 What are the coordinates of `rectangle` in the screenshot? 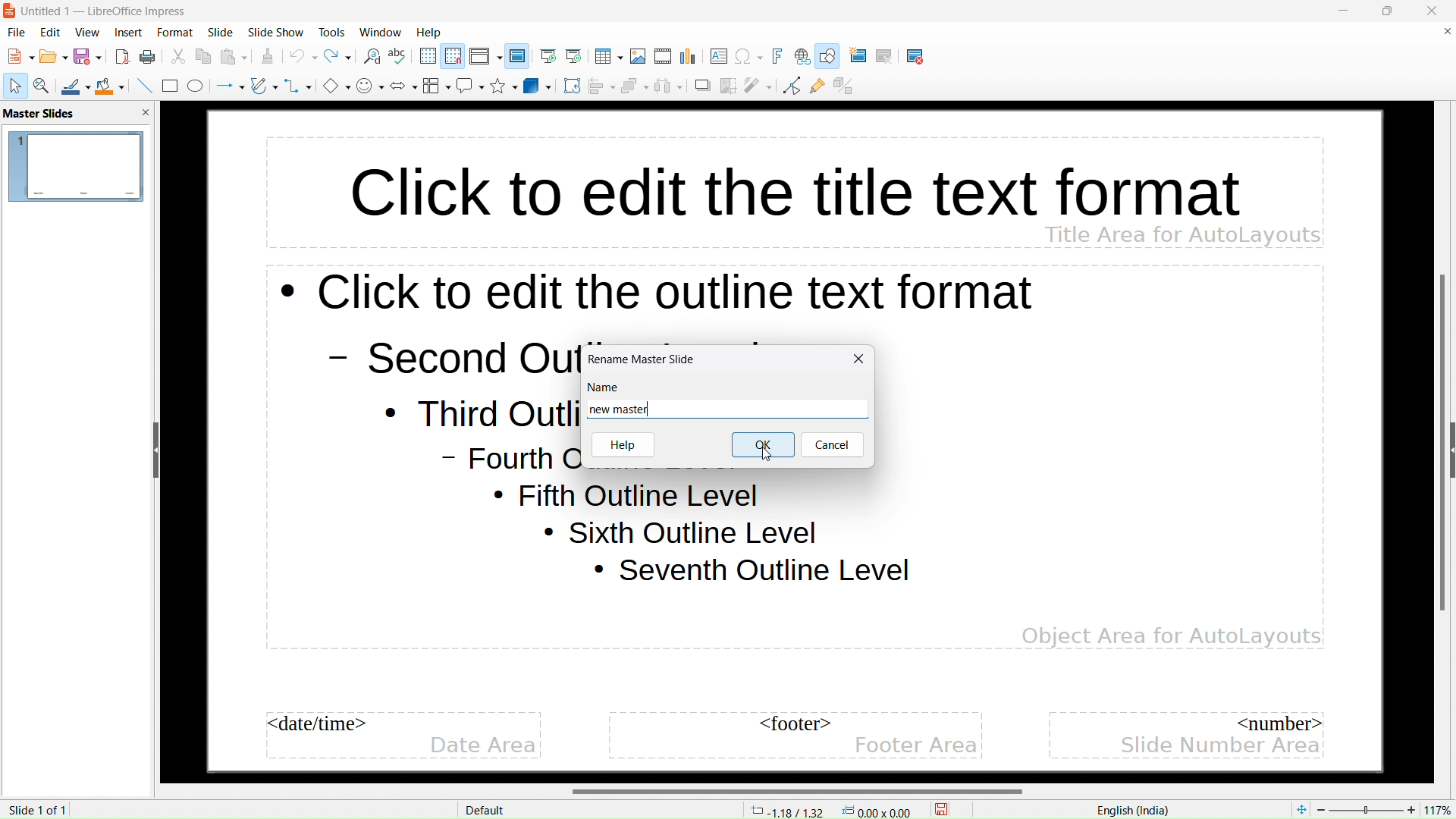 It's located at (170, 86).